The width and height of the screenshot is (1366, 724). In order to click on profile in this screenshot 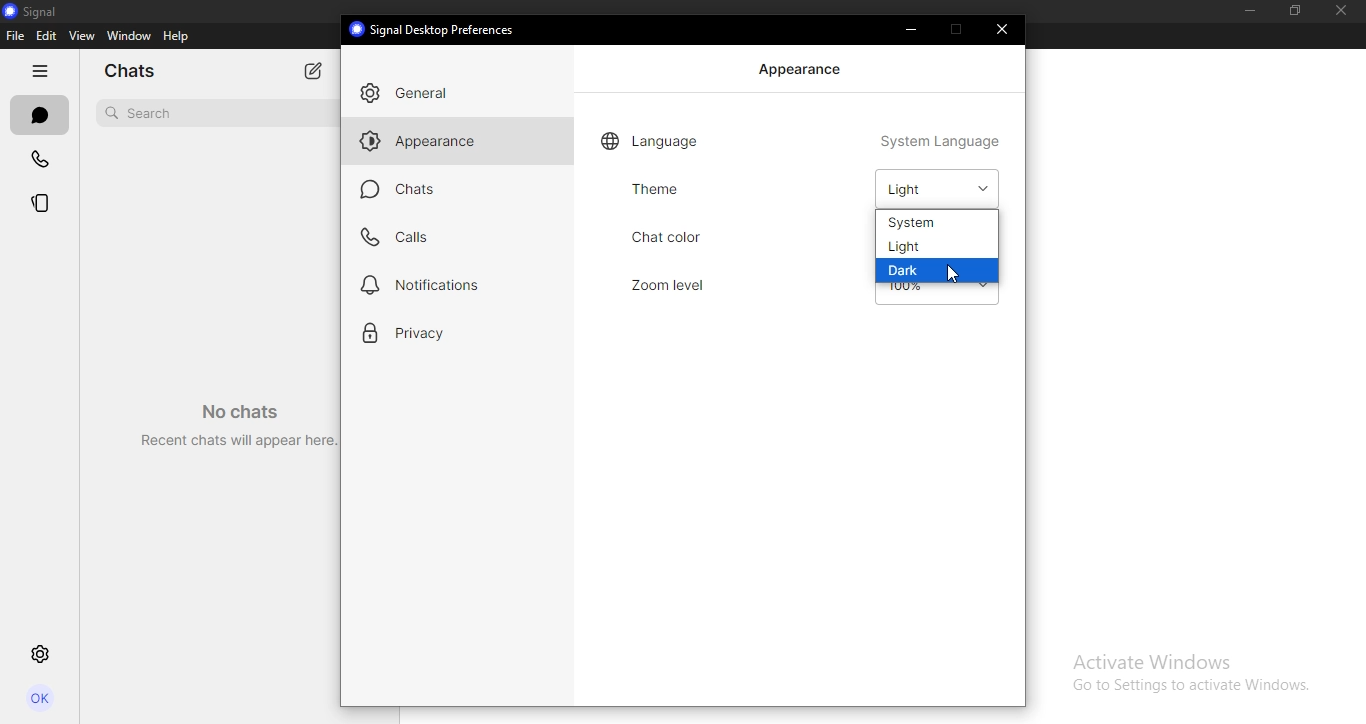, I will do `click(42, 701)`.